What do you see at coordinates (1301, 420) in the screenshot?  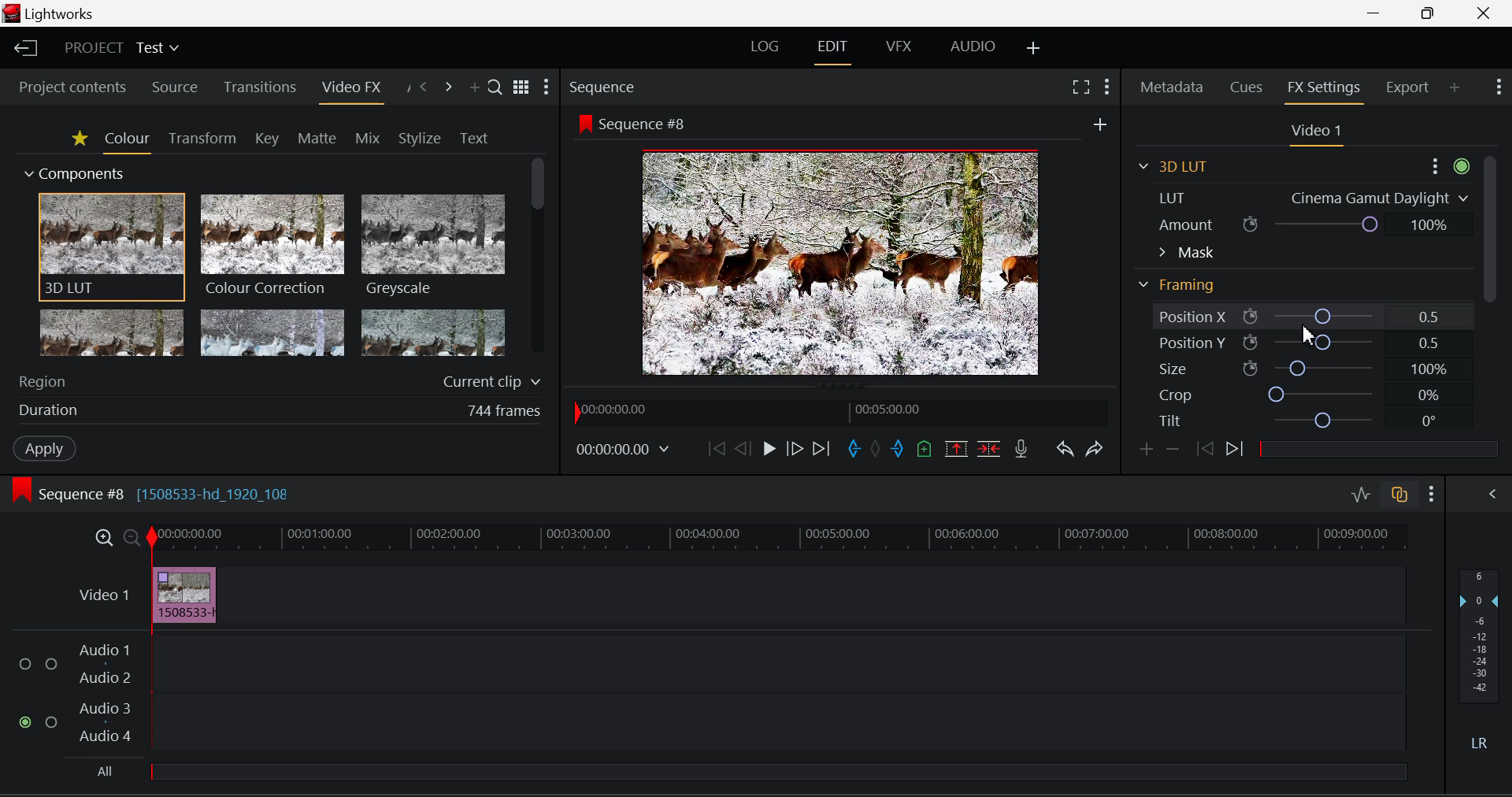 I see `Tilt` at bounding box center [1301, 420].